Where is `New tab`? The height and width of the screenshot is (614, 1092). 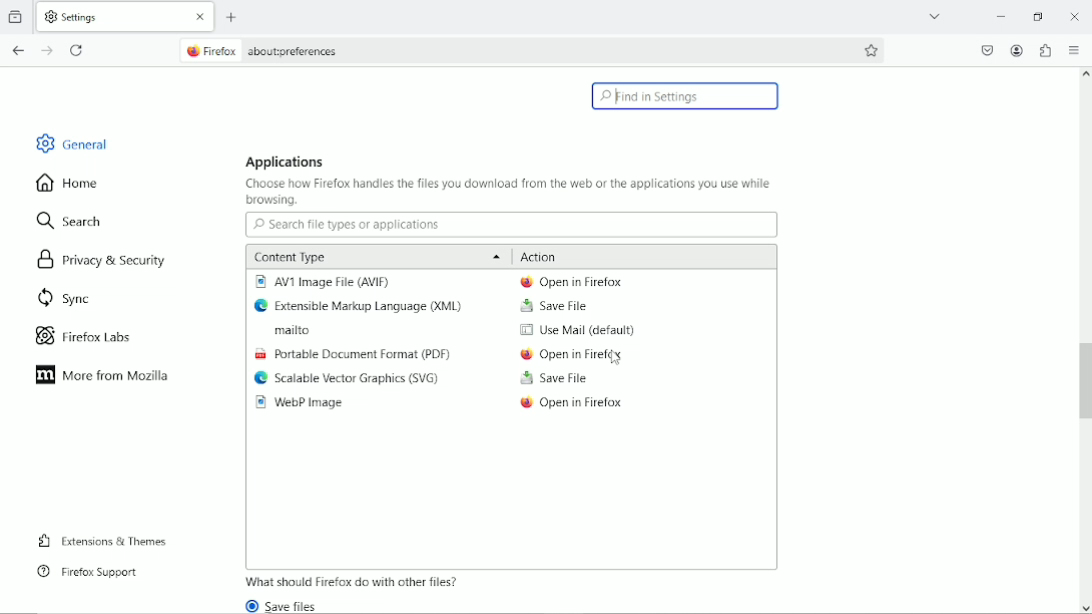 New tab is located at coordinates (233, 18).